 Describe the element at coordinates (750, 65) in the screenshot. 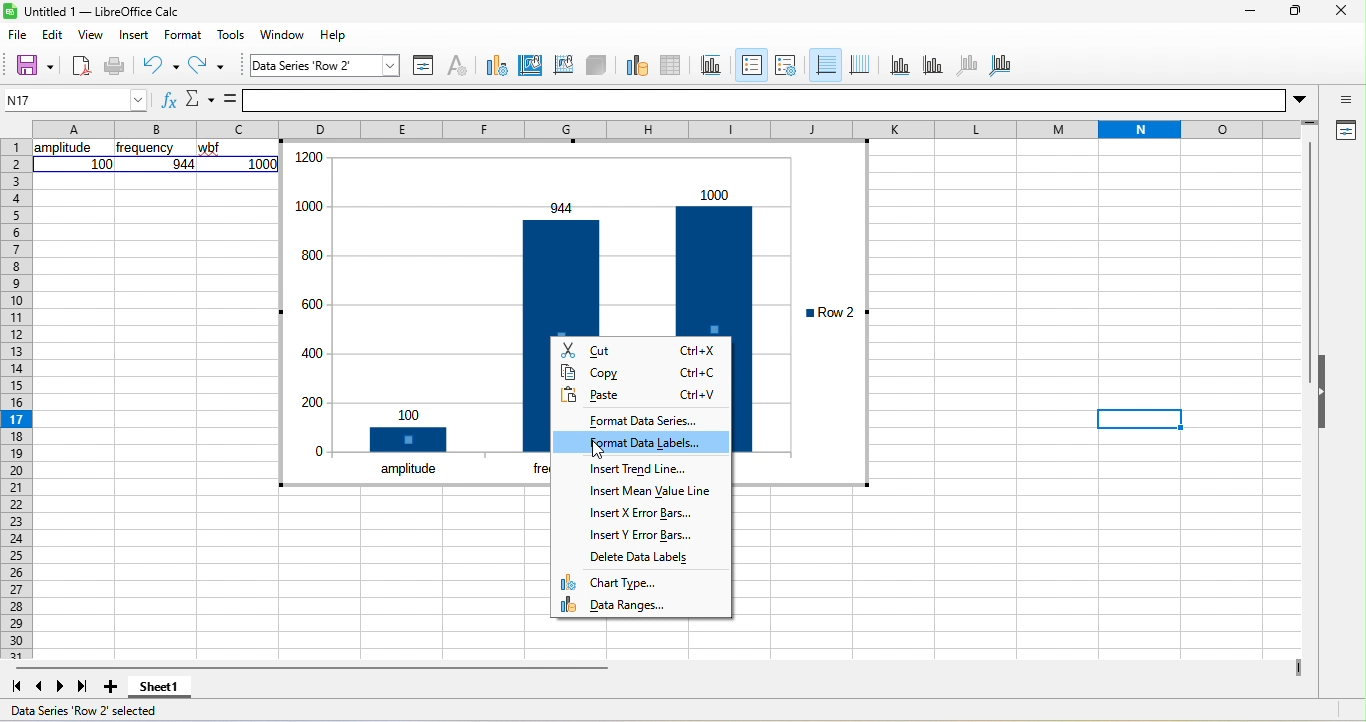

I see `legend on/off` at that location.